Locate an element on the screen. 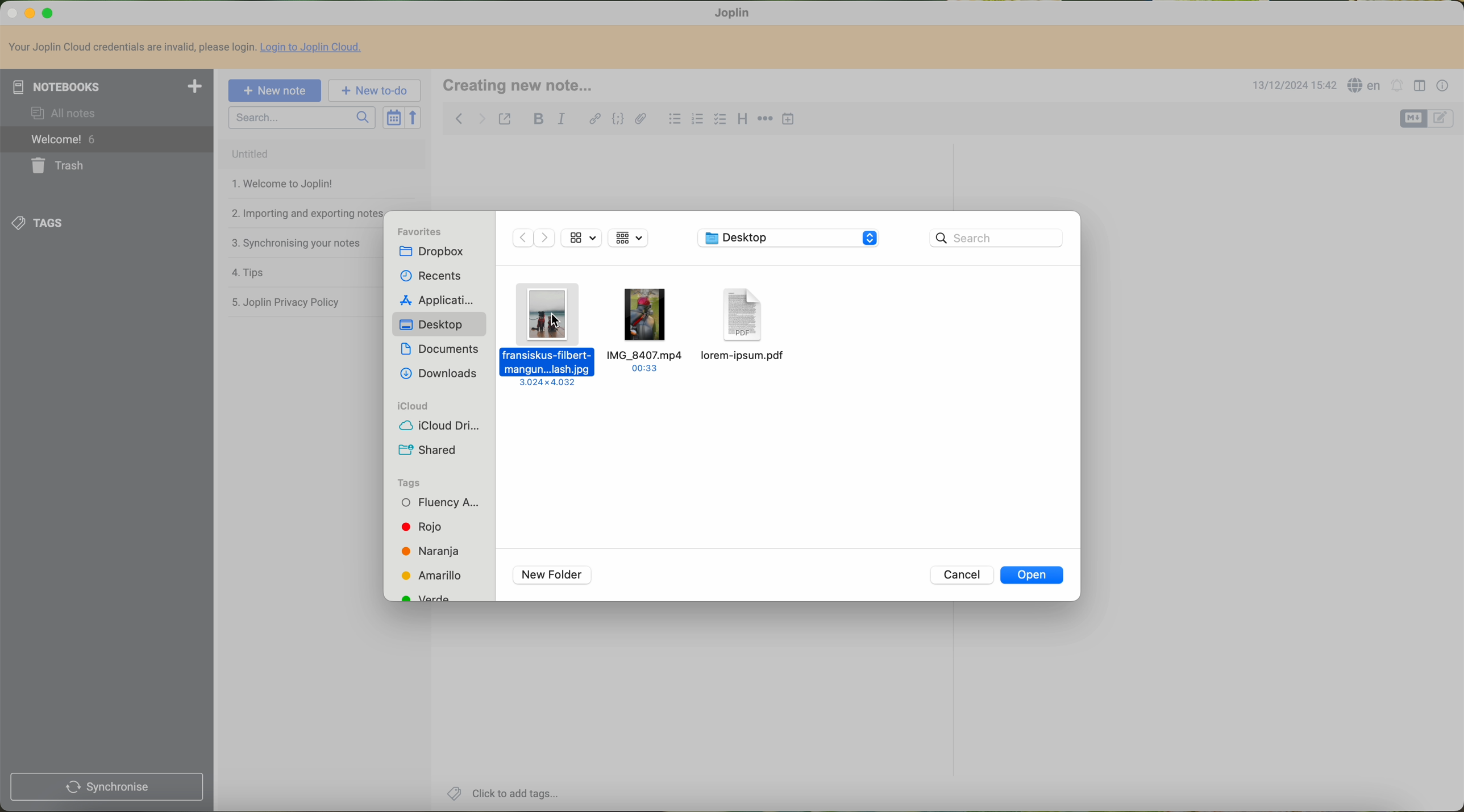  bulleted list is located at coordinates (675, 121).